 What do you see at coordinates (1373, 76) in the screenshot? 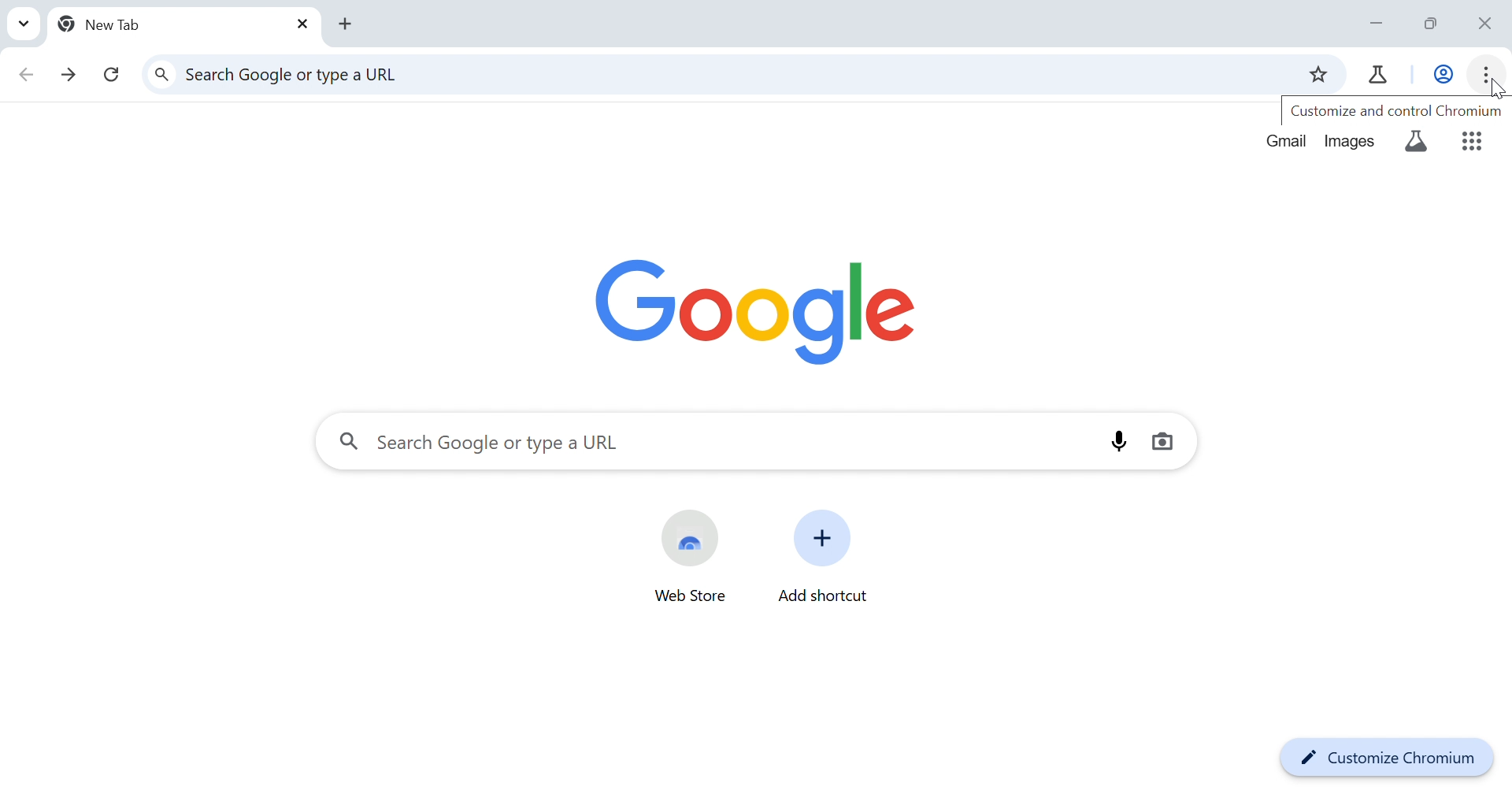
I see `Chrome tabs` at bounding box center [1373, 76].